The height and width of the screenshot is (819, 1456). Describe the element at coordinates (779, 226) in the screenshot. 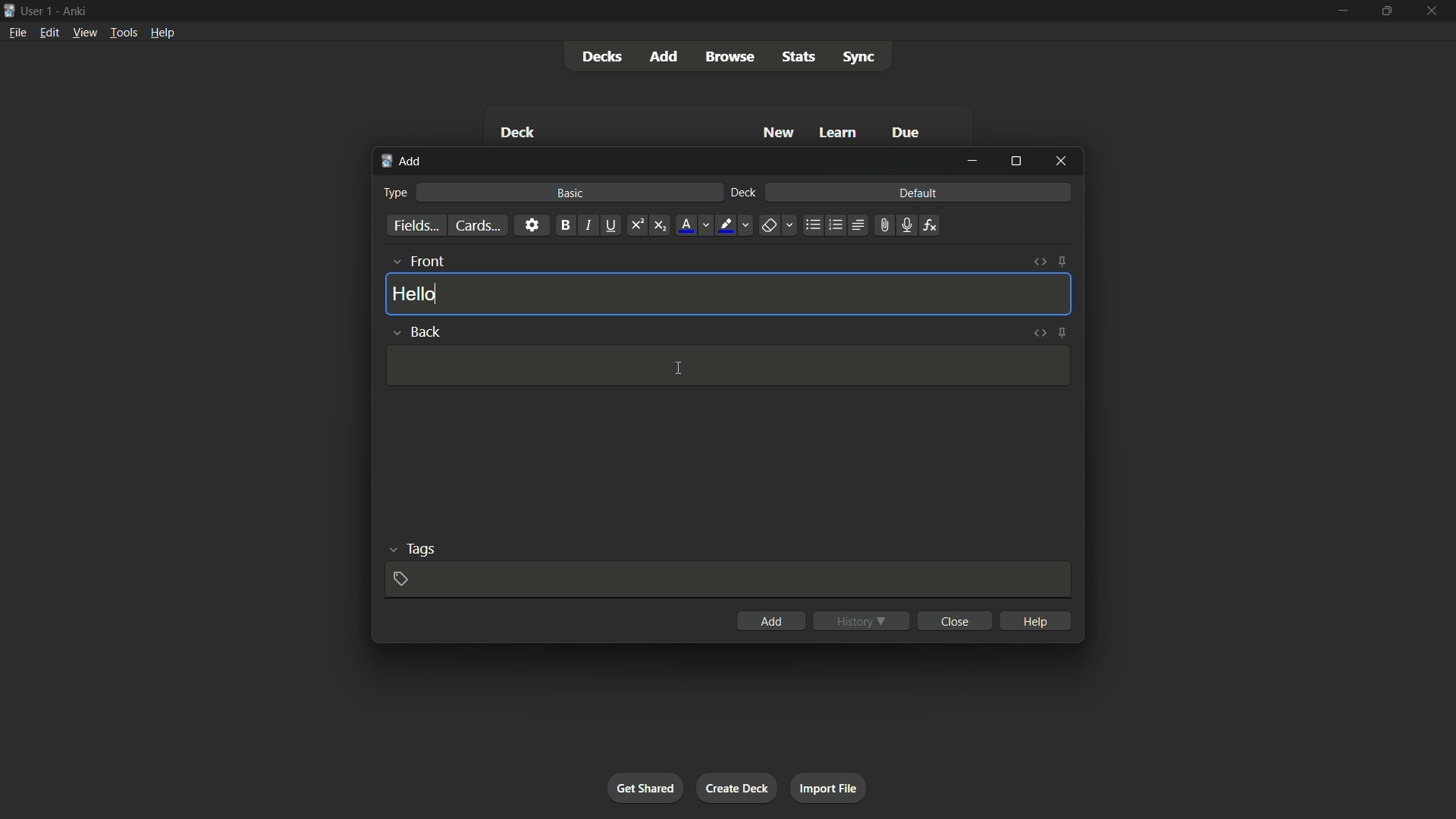

I see `remove formatting` at that location.